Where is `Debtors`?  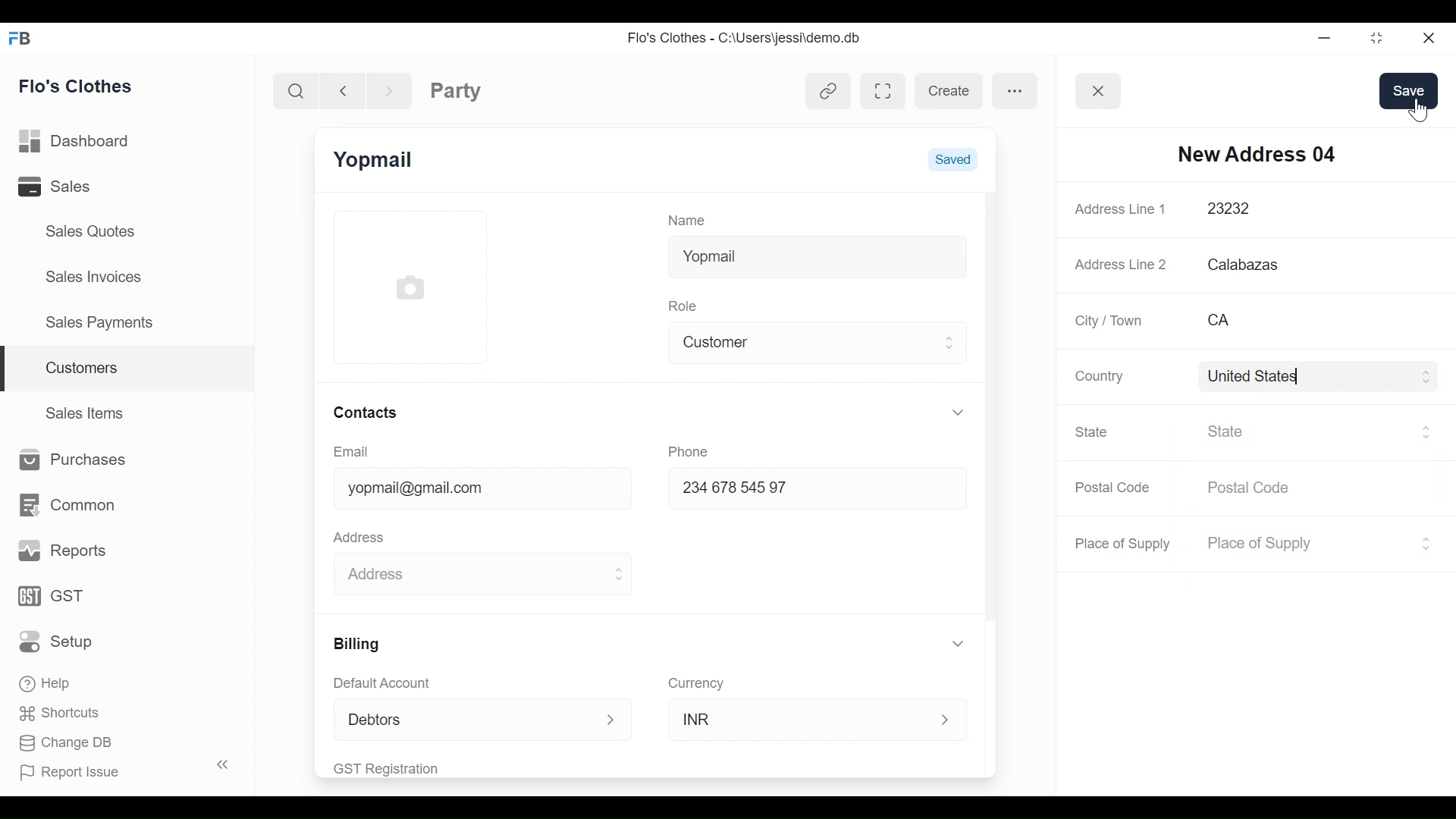
Debtors is located at coordinates (458, 719).